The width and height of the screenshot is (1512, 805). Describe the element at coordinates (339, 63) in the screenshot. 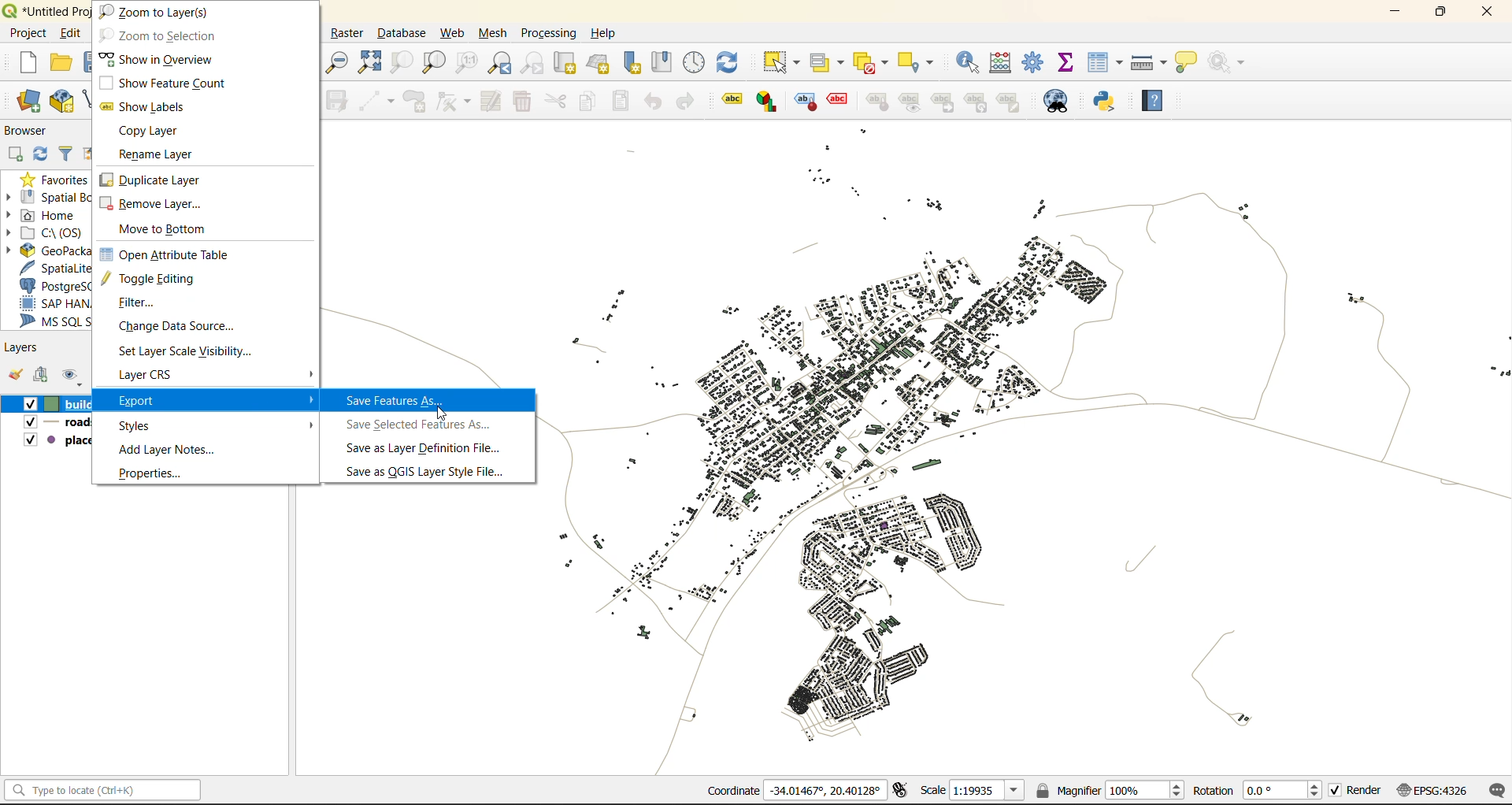

I see `zoom out` at that location.